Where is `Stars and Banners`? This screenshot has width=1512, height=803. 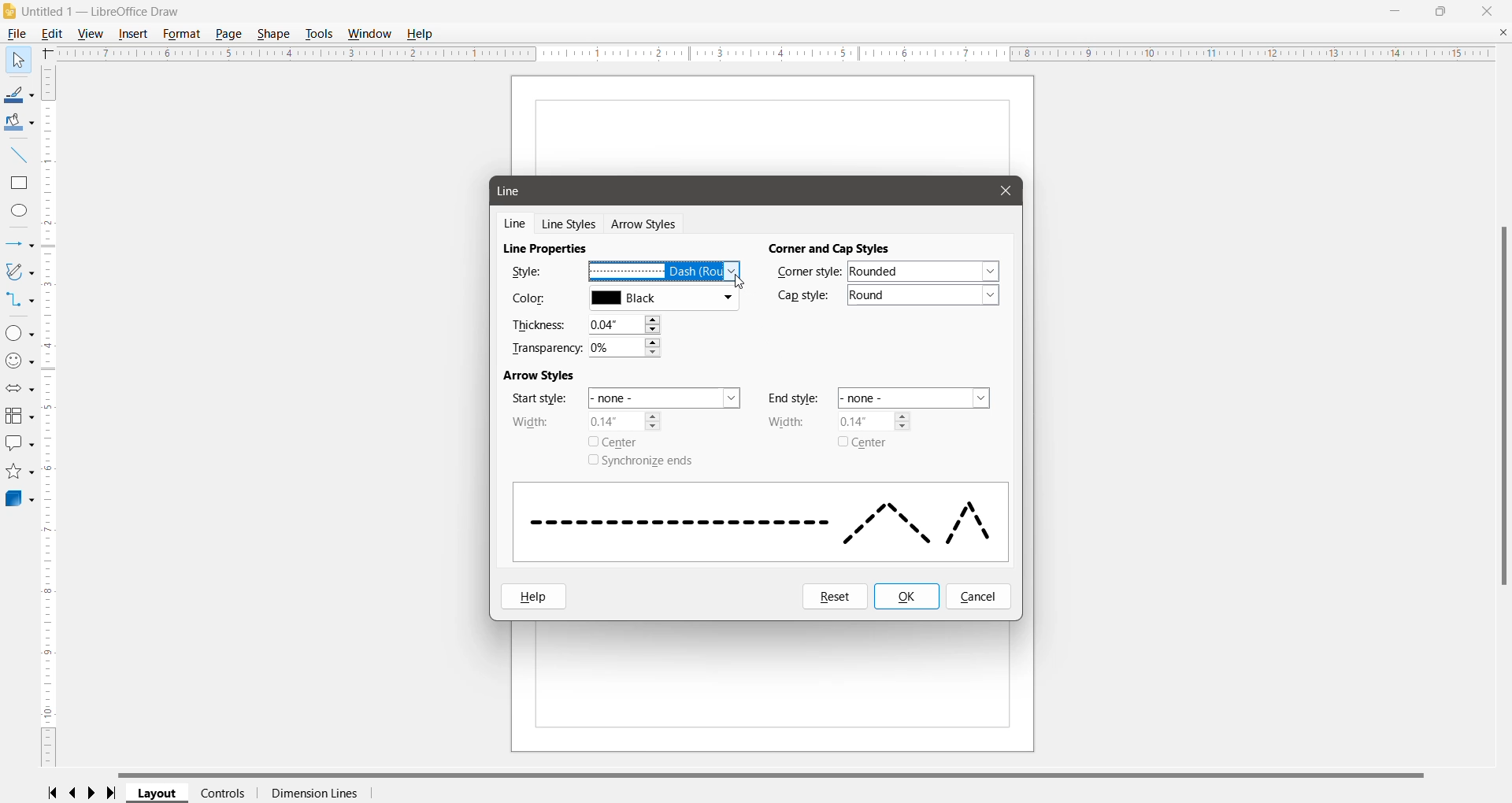
Stars and Banners is located at coordinates (19, 472).